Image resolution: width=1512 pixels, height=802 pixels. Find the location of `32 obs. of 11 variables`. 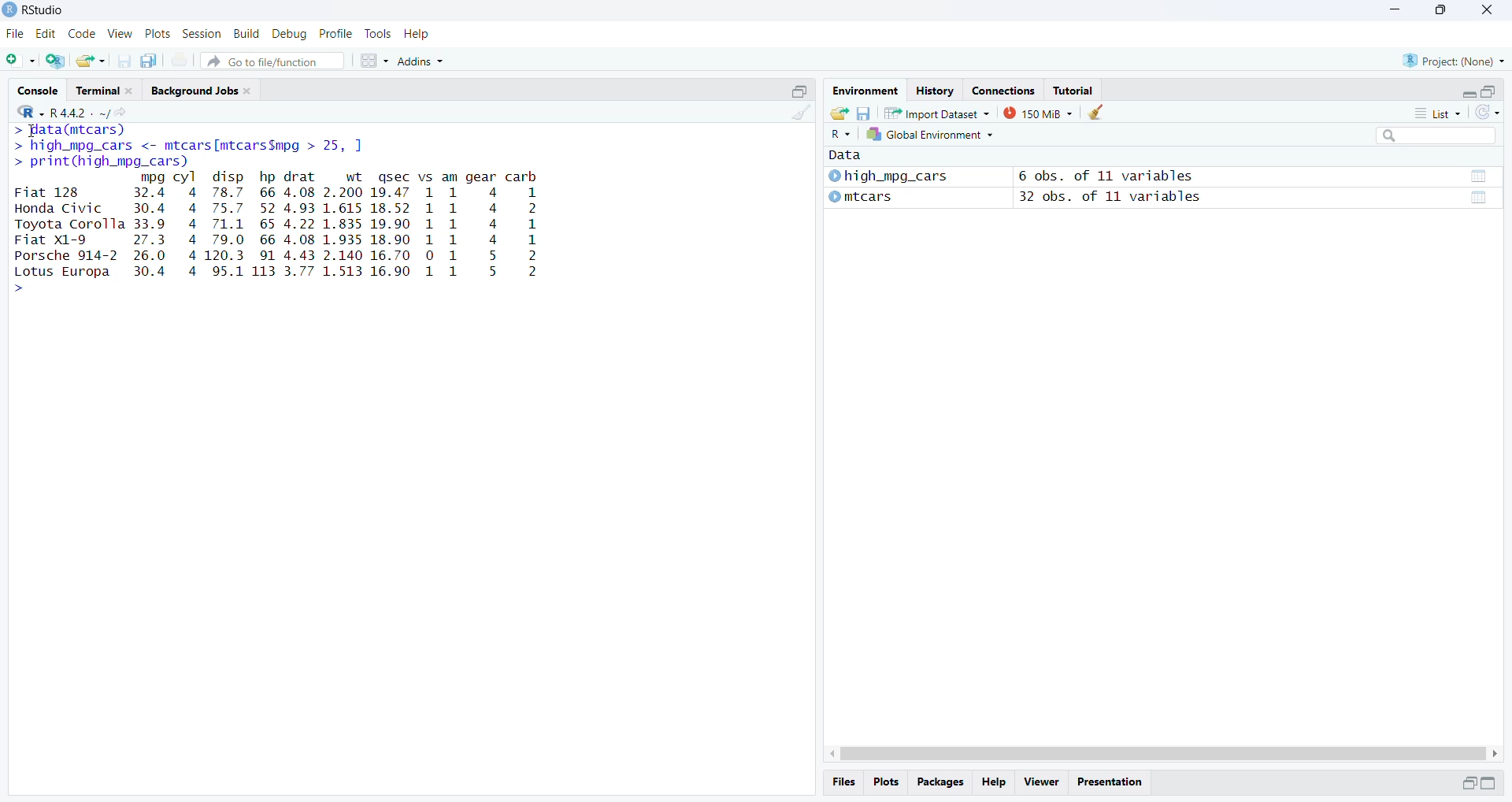

32 obs. of 11 variables is located at coordinates (1111, 197).